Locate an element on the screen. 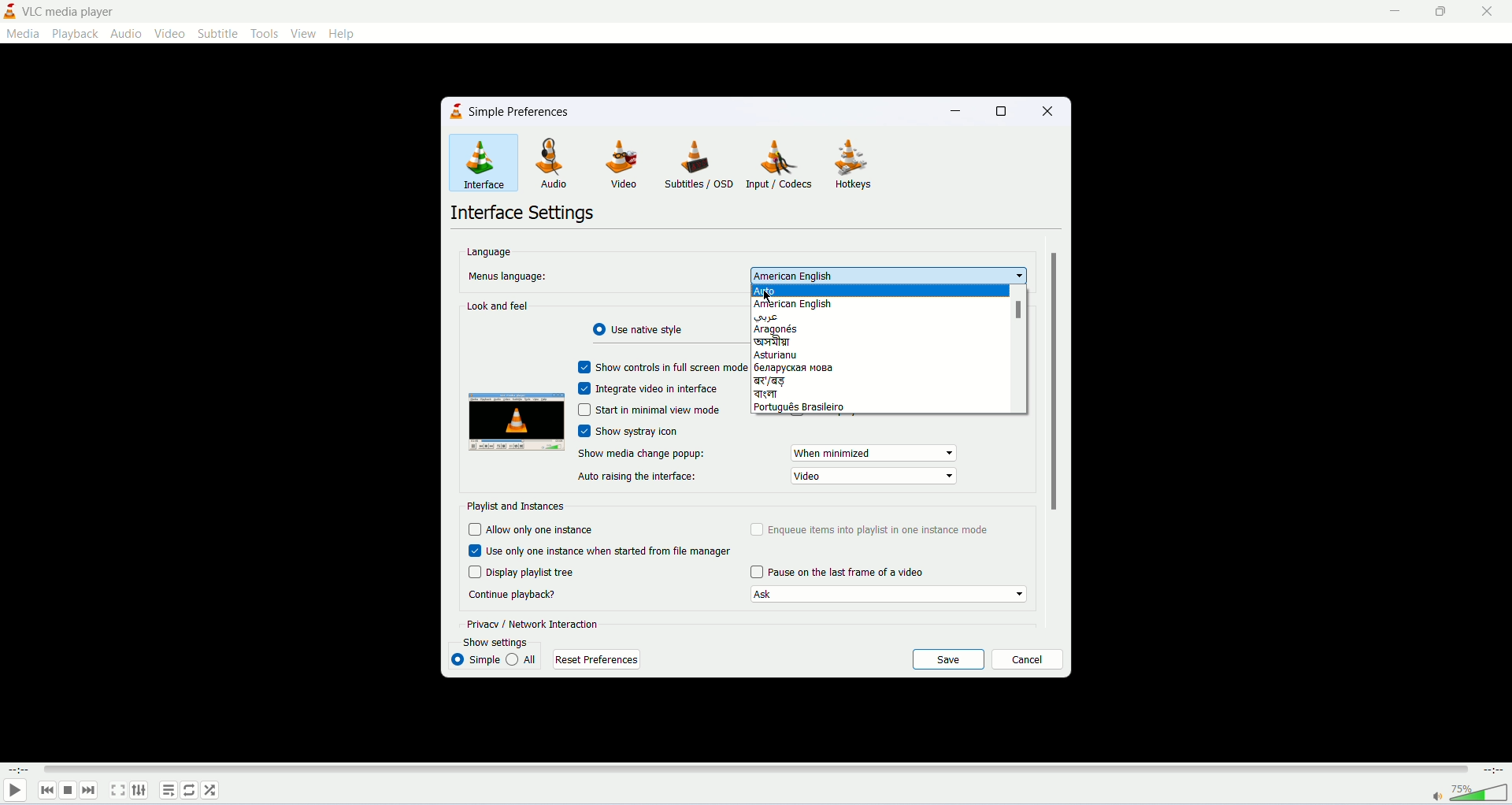  start in minimal view mode is located at coordinates (647, 410).